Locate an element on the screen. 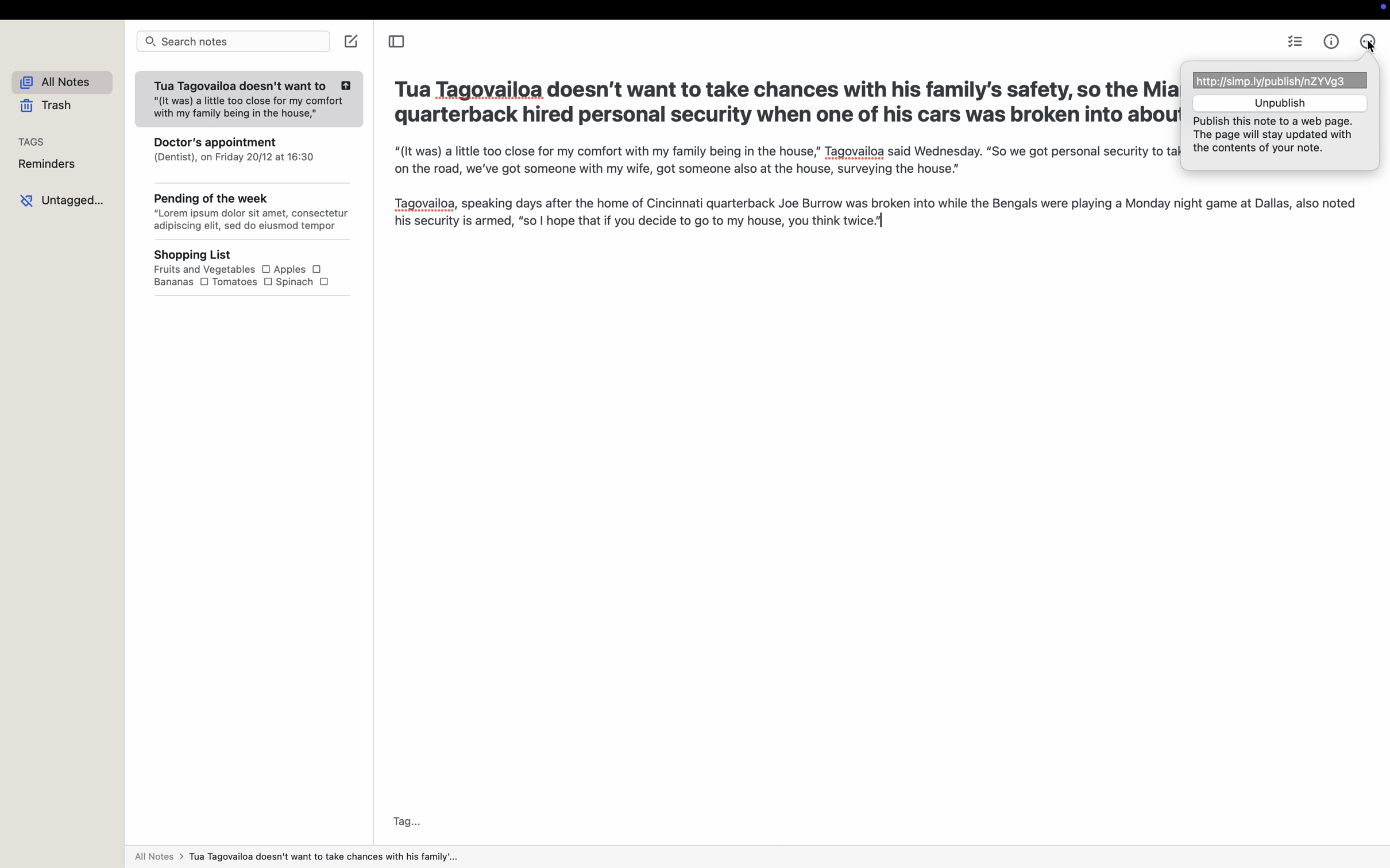 Image resolution: width=1390 pixels, height=868 pixels. A htto://simp.ly/publish/nzYVg3 is located at coordinates (1280, 78).